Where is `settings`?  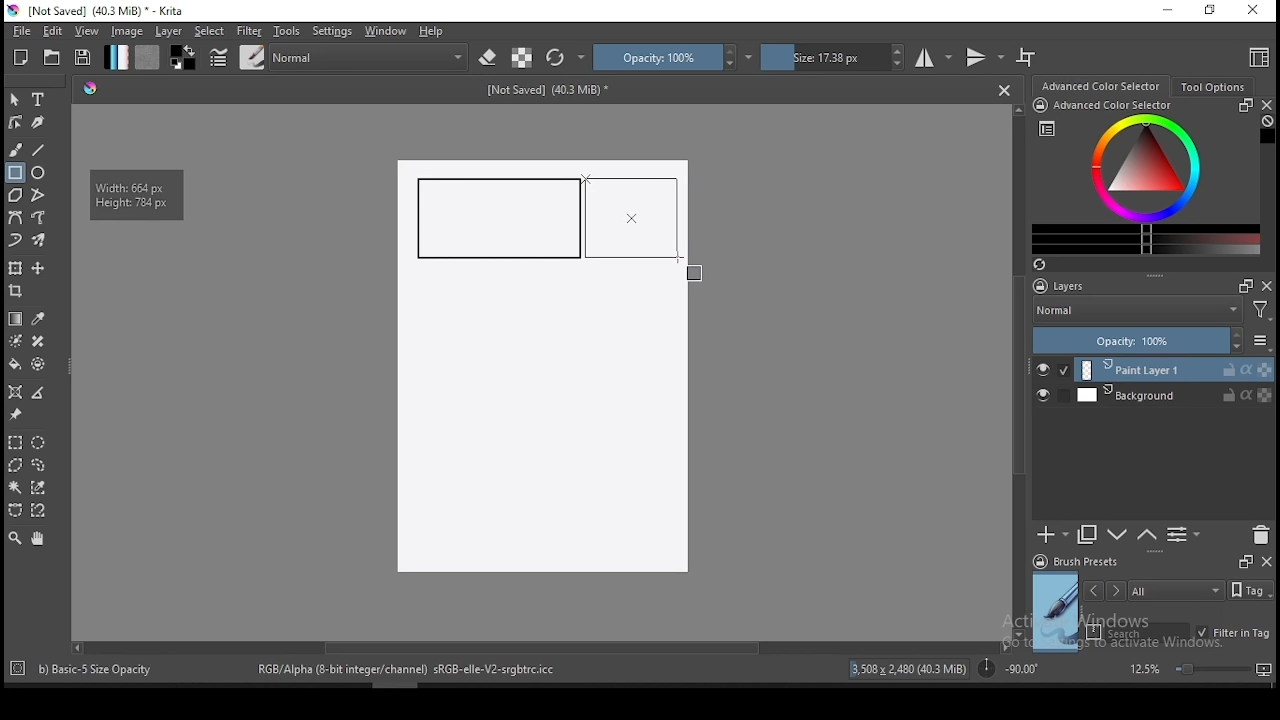
settings is located at coordinates (332, 31).